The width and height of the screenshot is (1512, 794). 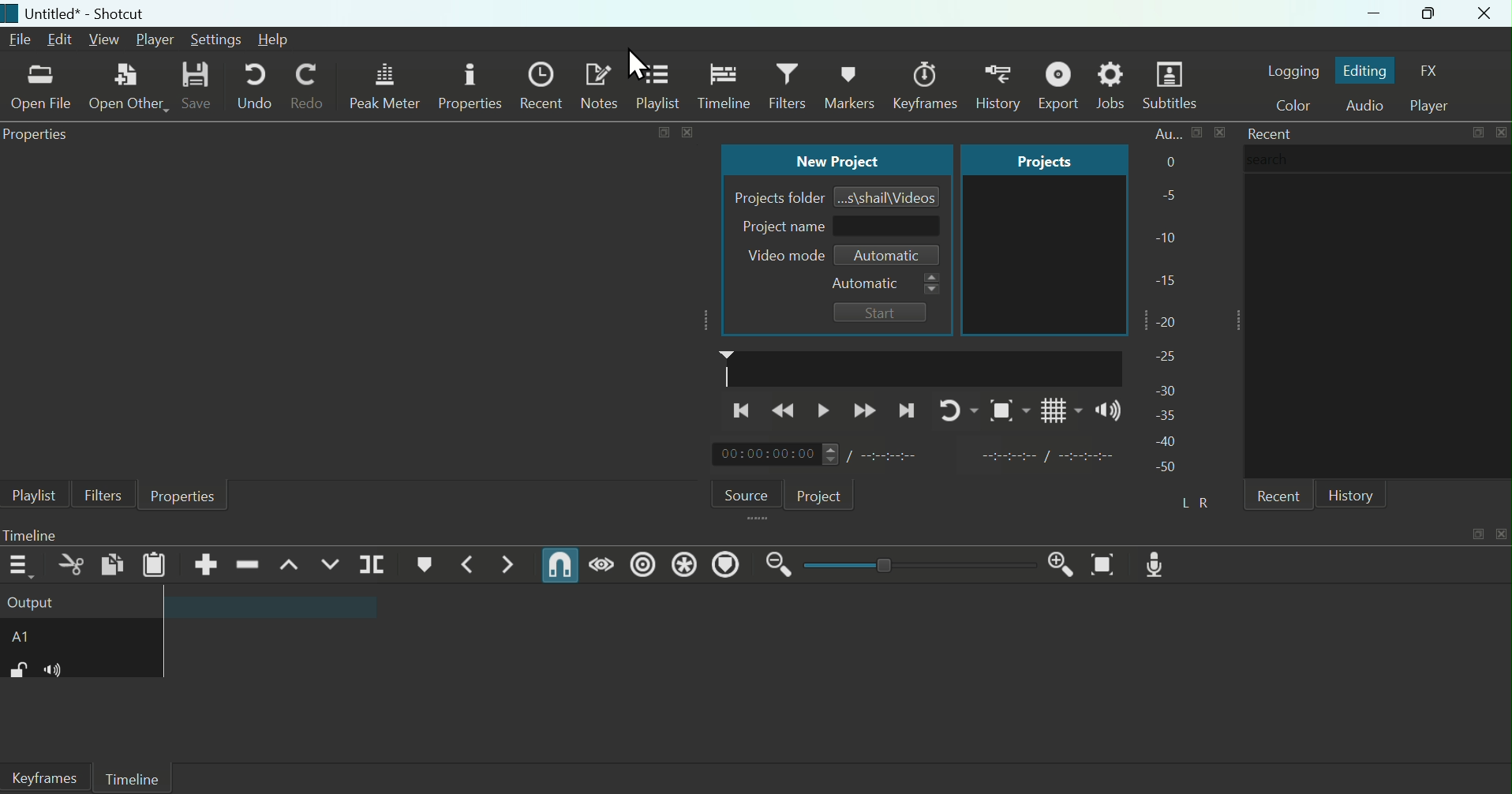 What do you see at coordinates (472, 87) in the screenshot?
I see `Properties` at bounding box center [472, 87].